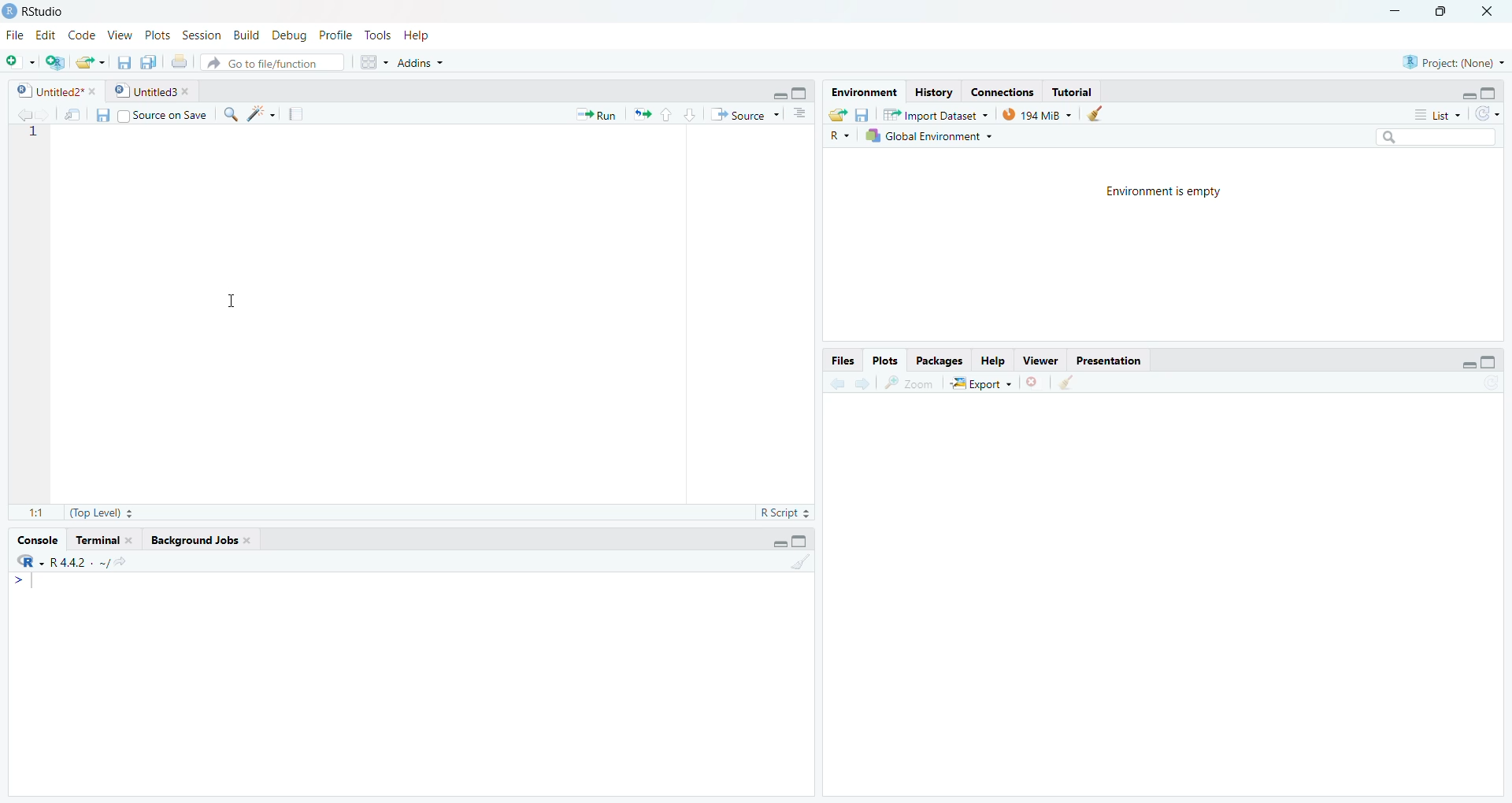  What do you see at coordinates (276, 62) in the screenshot?
I see `” Go to file/function` at bounding box center [276, 62].